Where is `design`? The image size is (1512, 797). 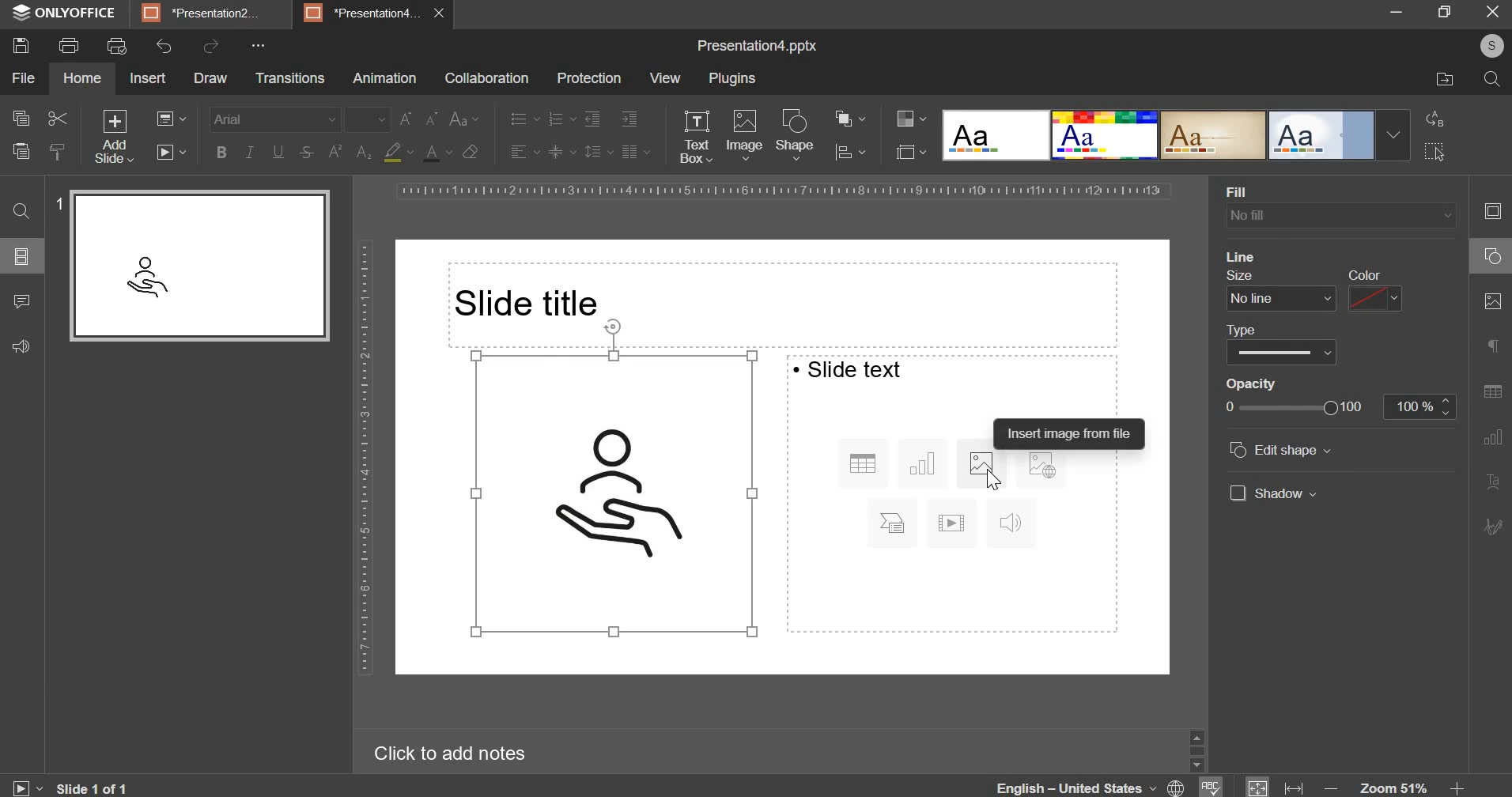
design is located at coordinates (1215, 136).